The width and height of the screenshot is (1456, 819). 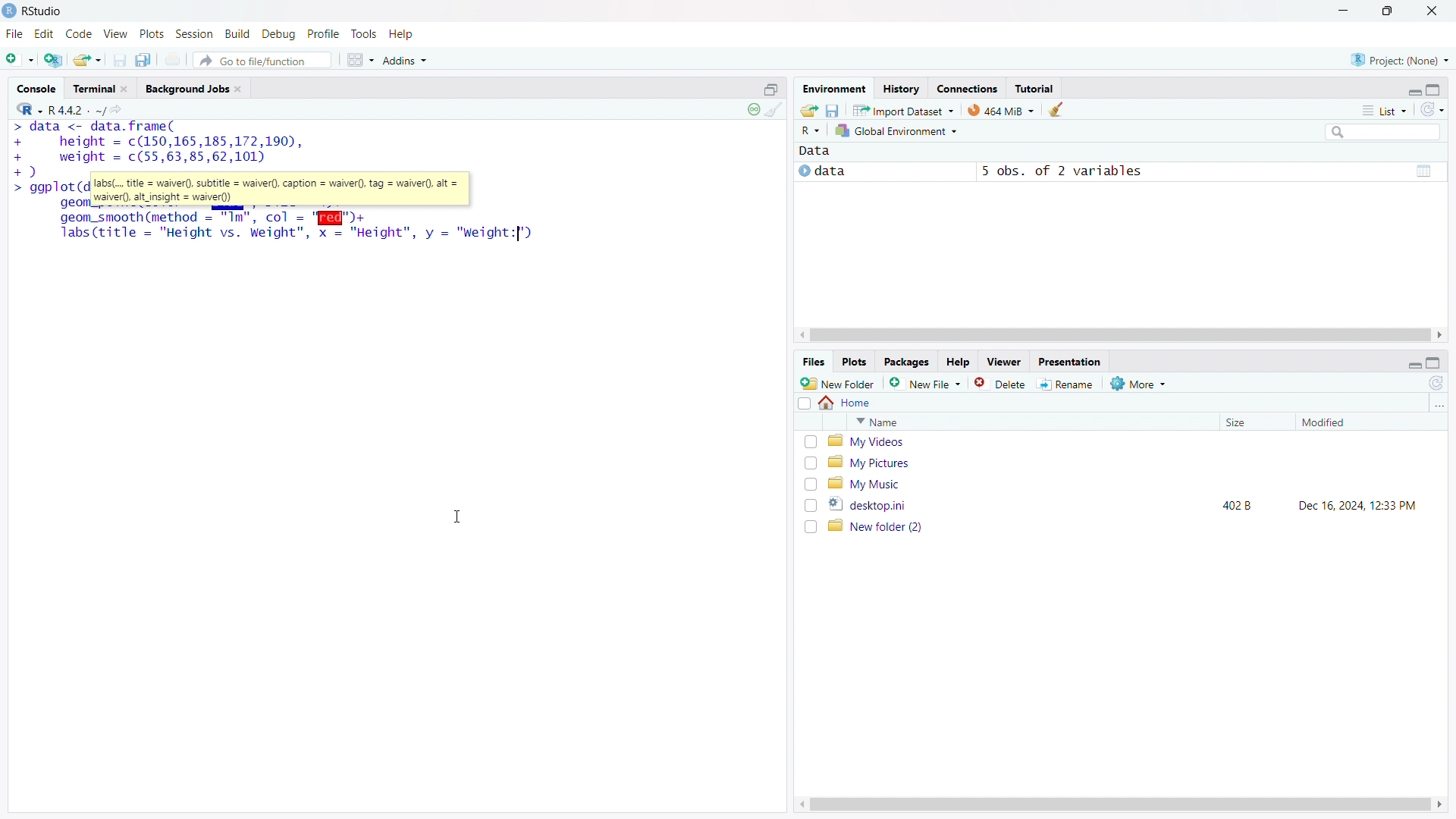 I want to click on list, so click(x=1384, y=110).